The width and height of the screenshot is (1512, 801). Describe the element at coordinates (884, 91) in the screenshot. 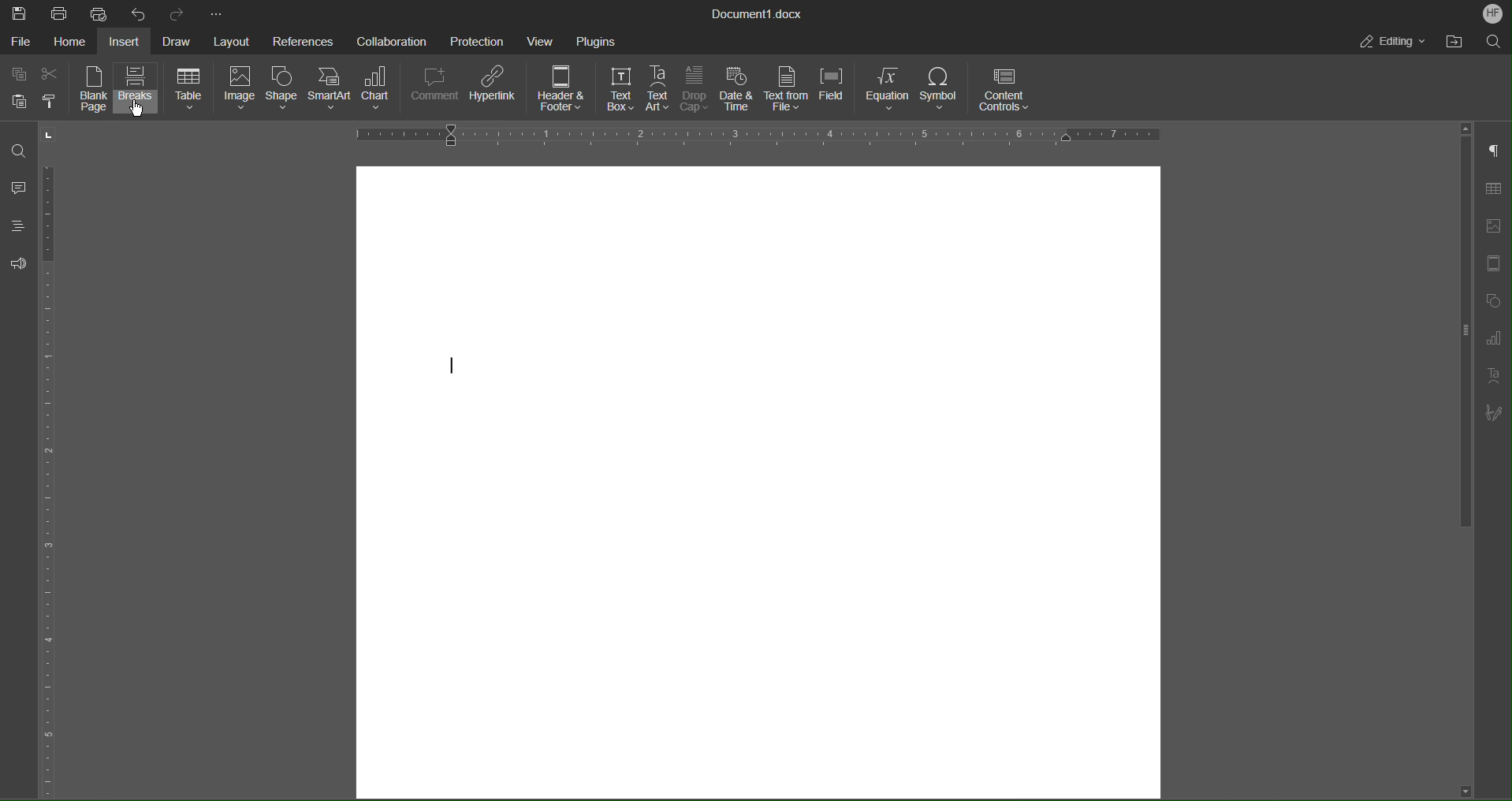

I see `Equation` at that location.